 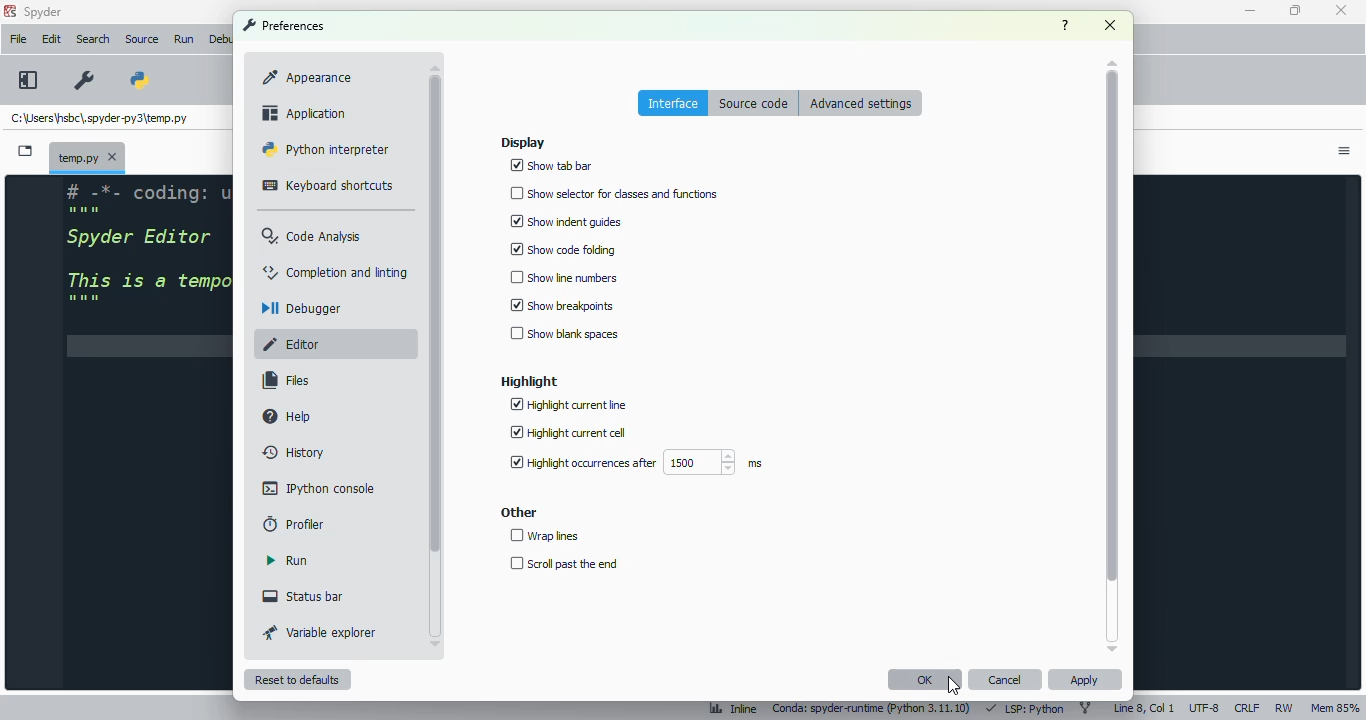 What do you see at coordinates (755, 103) in the screenshot?
I see `source code` at bounding box center [755, 103].